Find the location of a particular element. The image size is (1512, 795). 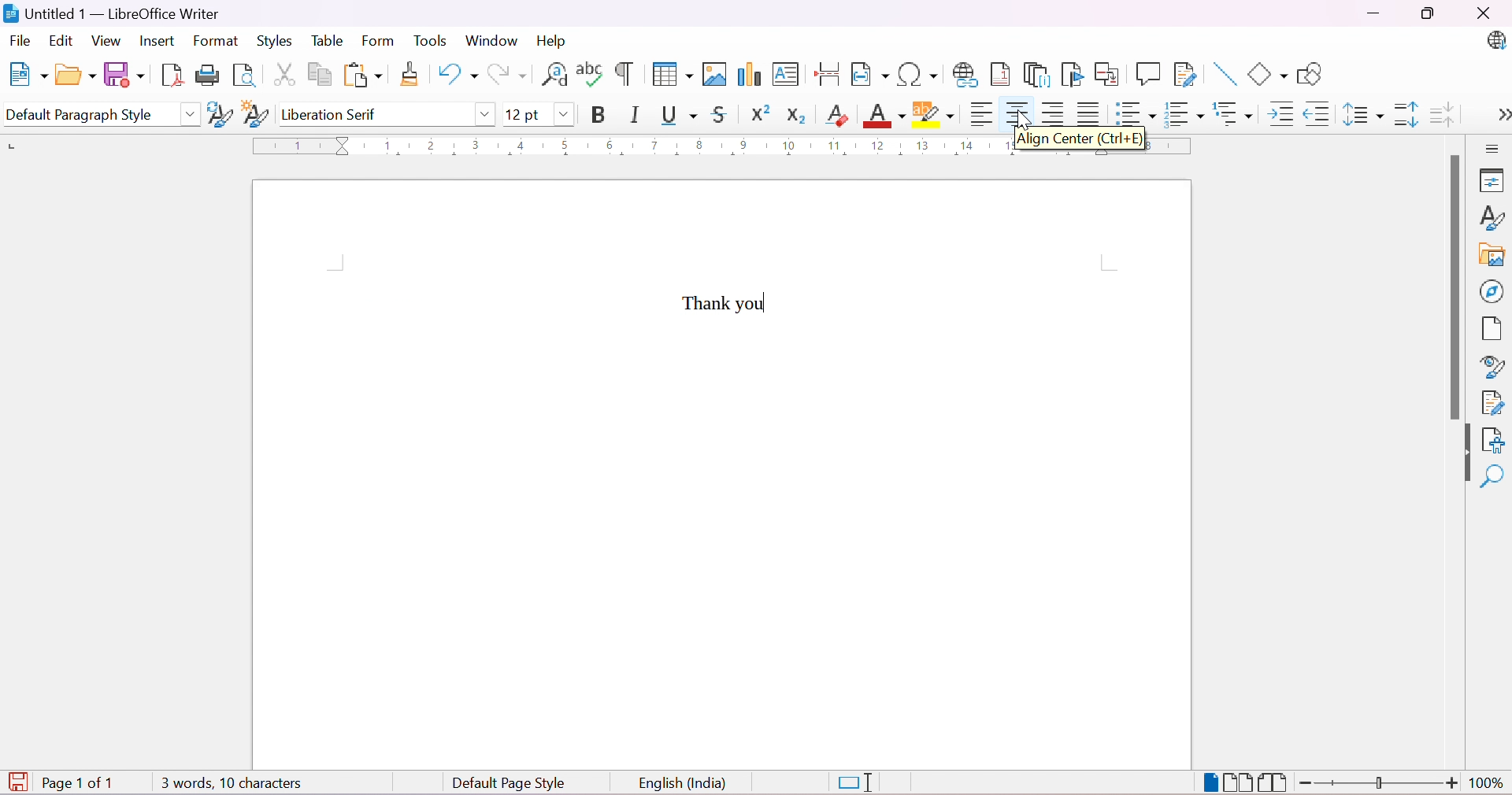

Table is located at coordinates (325, 40).